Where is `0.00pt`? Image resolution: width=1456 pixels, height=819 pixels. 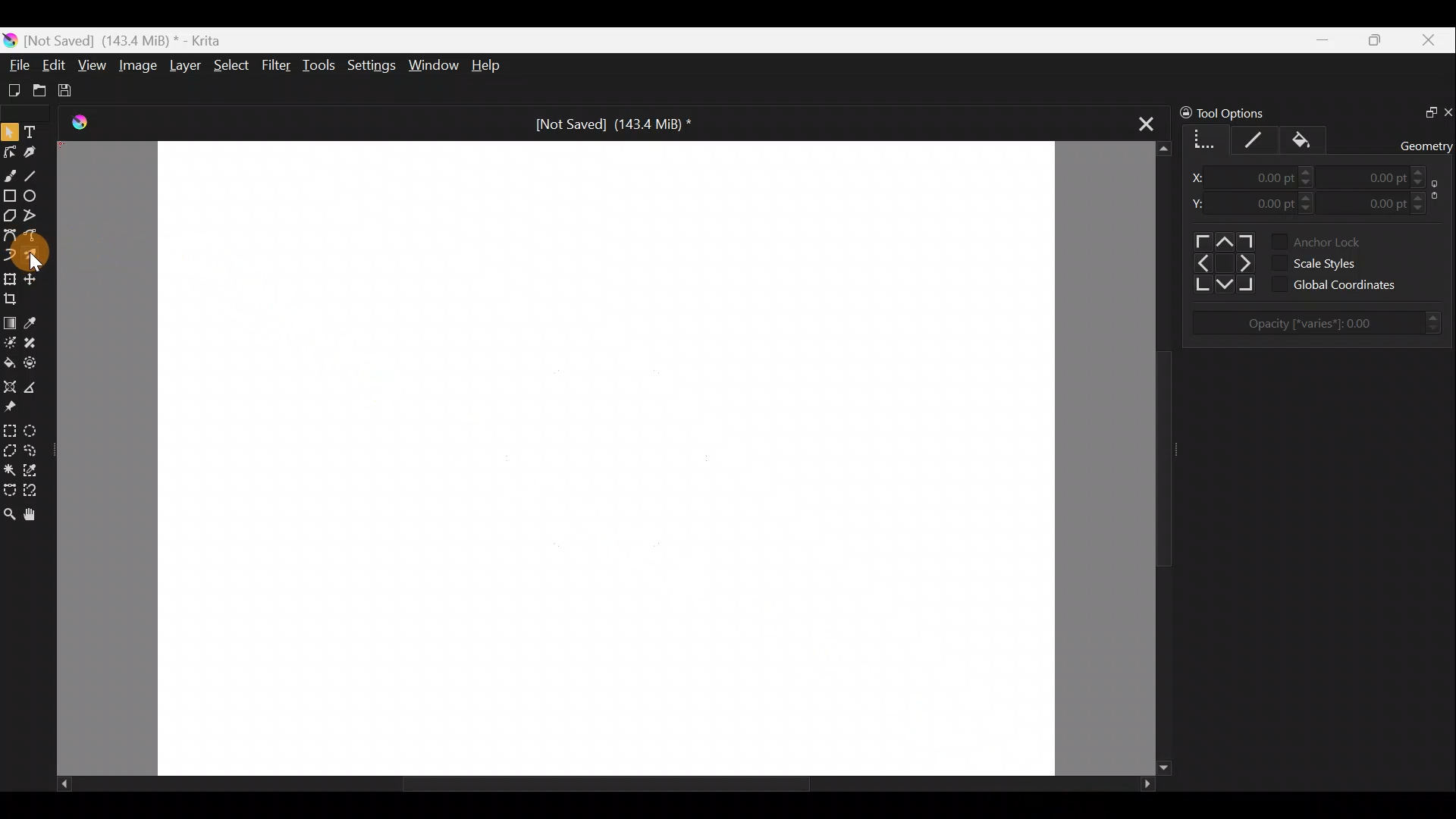 0.00pt is located at coordinates (1376, 177).